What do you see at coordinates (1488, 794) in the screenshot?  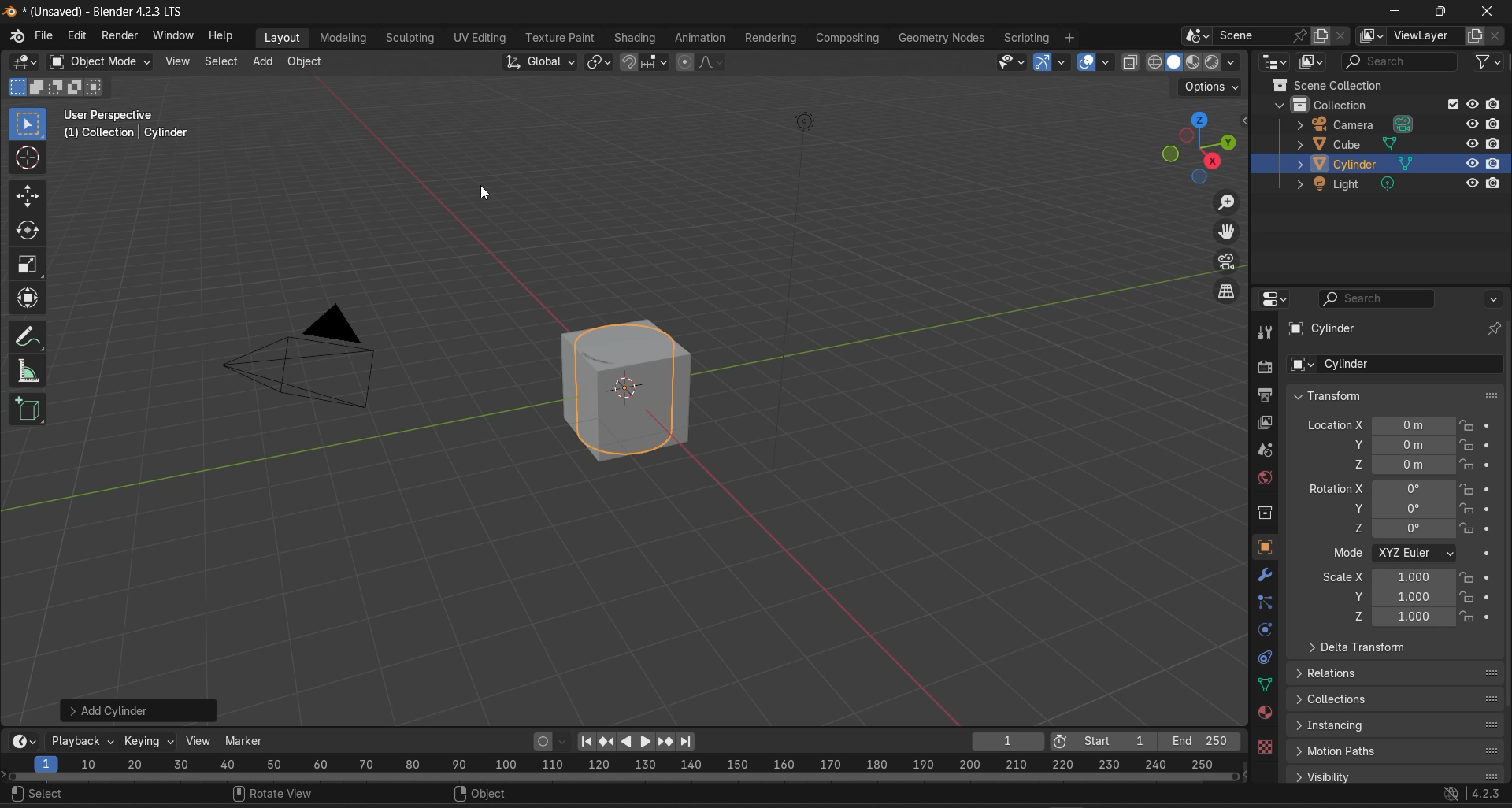 I see `4.2.3` at bounding box center [1488, 794].